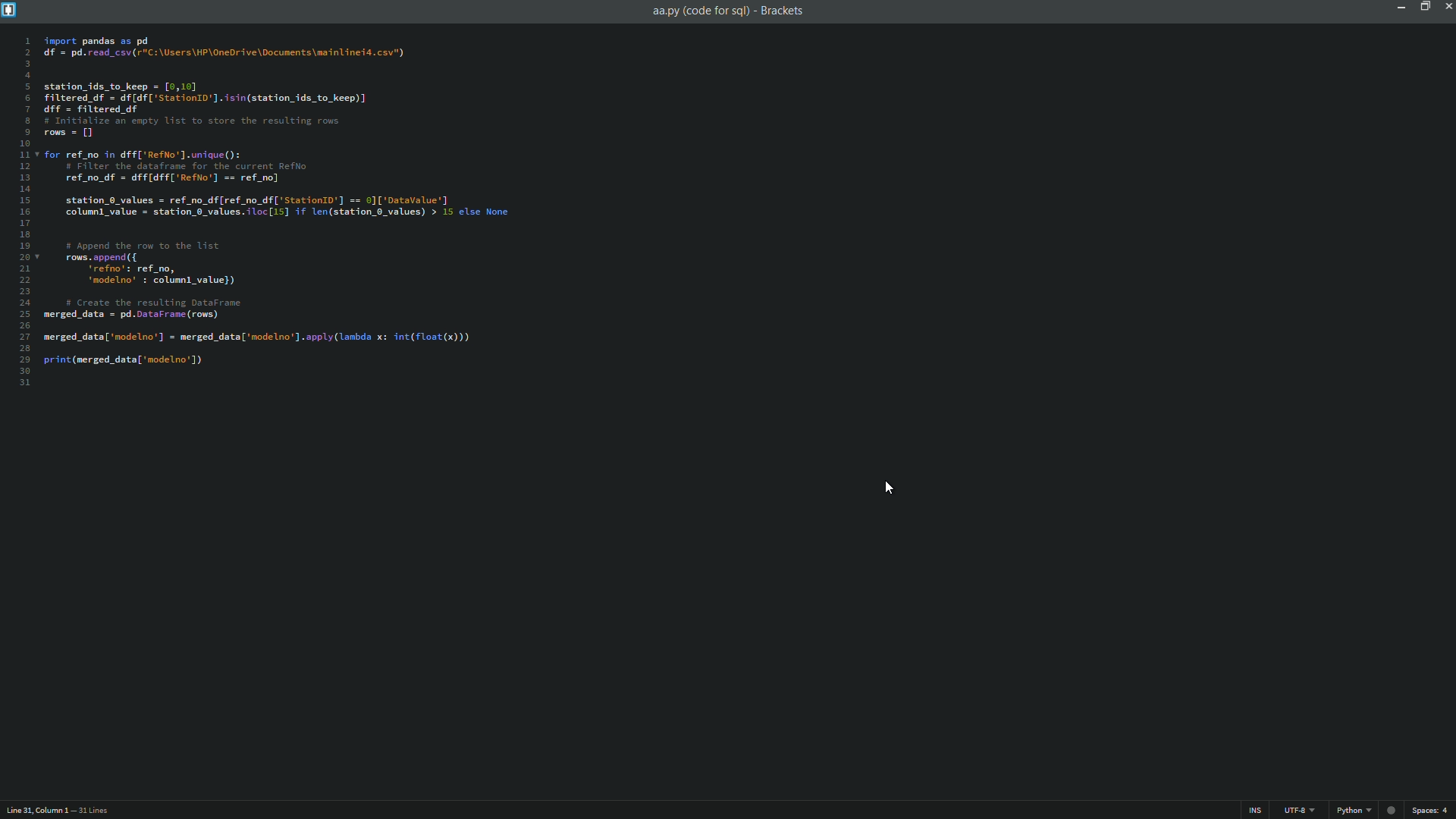 This screenshot has height=819, width=1456. I want to click on app name, so click(782, 10).